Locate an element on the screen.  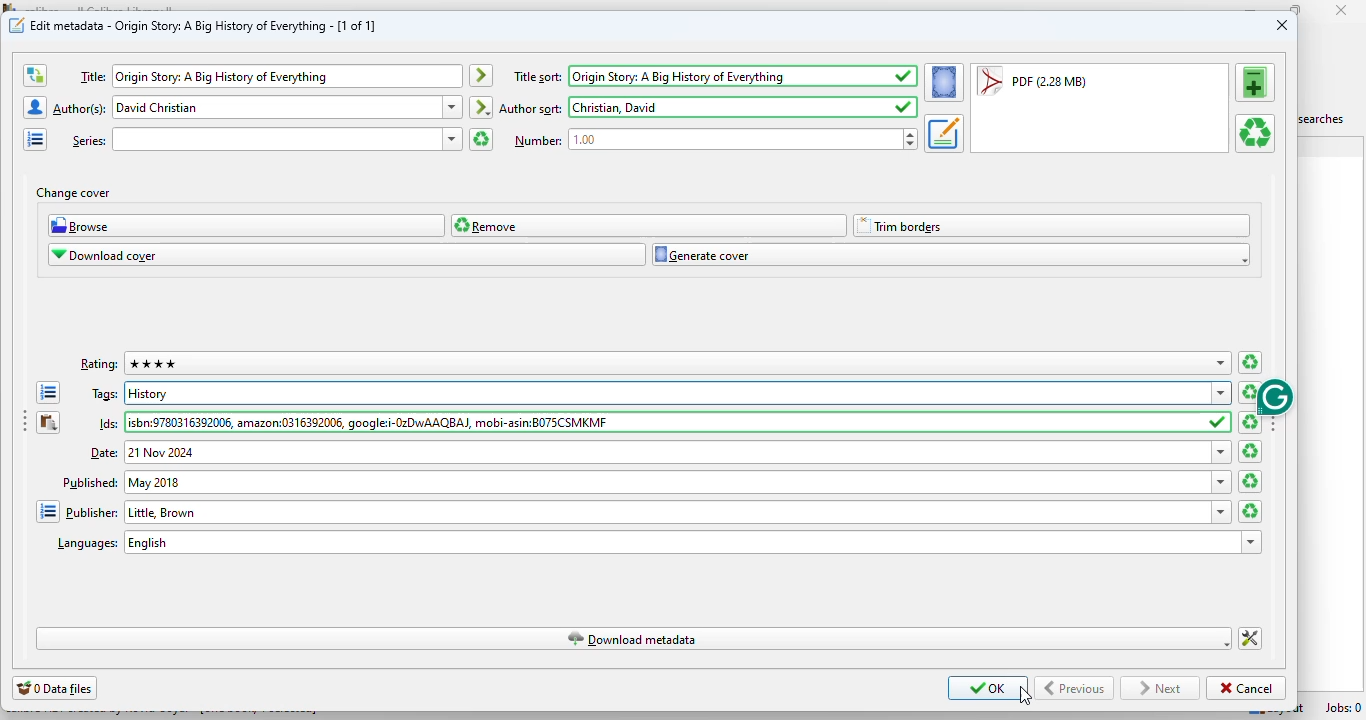
swap the author and title is located at coordinates (34, 76).